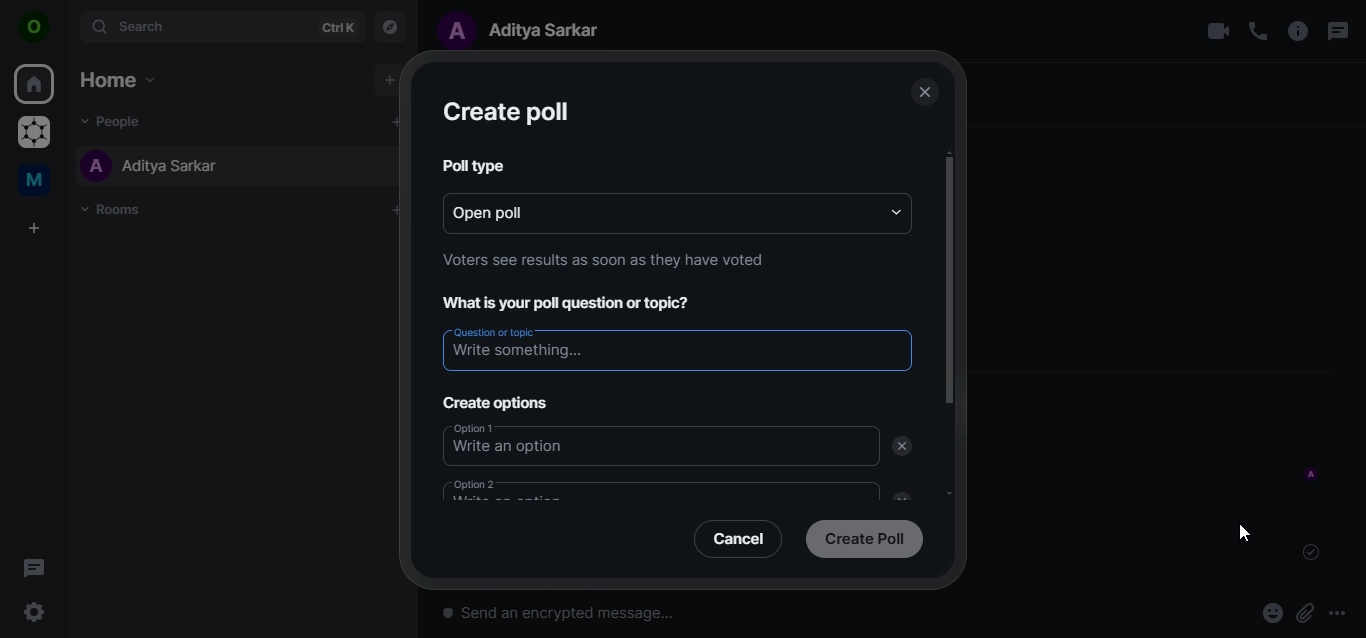 The image size is (1366, 638). Describe the element at coordinates (220, 26) in the screenshot. I see `search` at that location.